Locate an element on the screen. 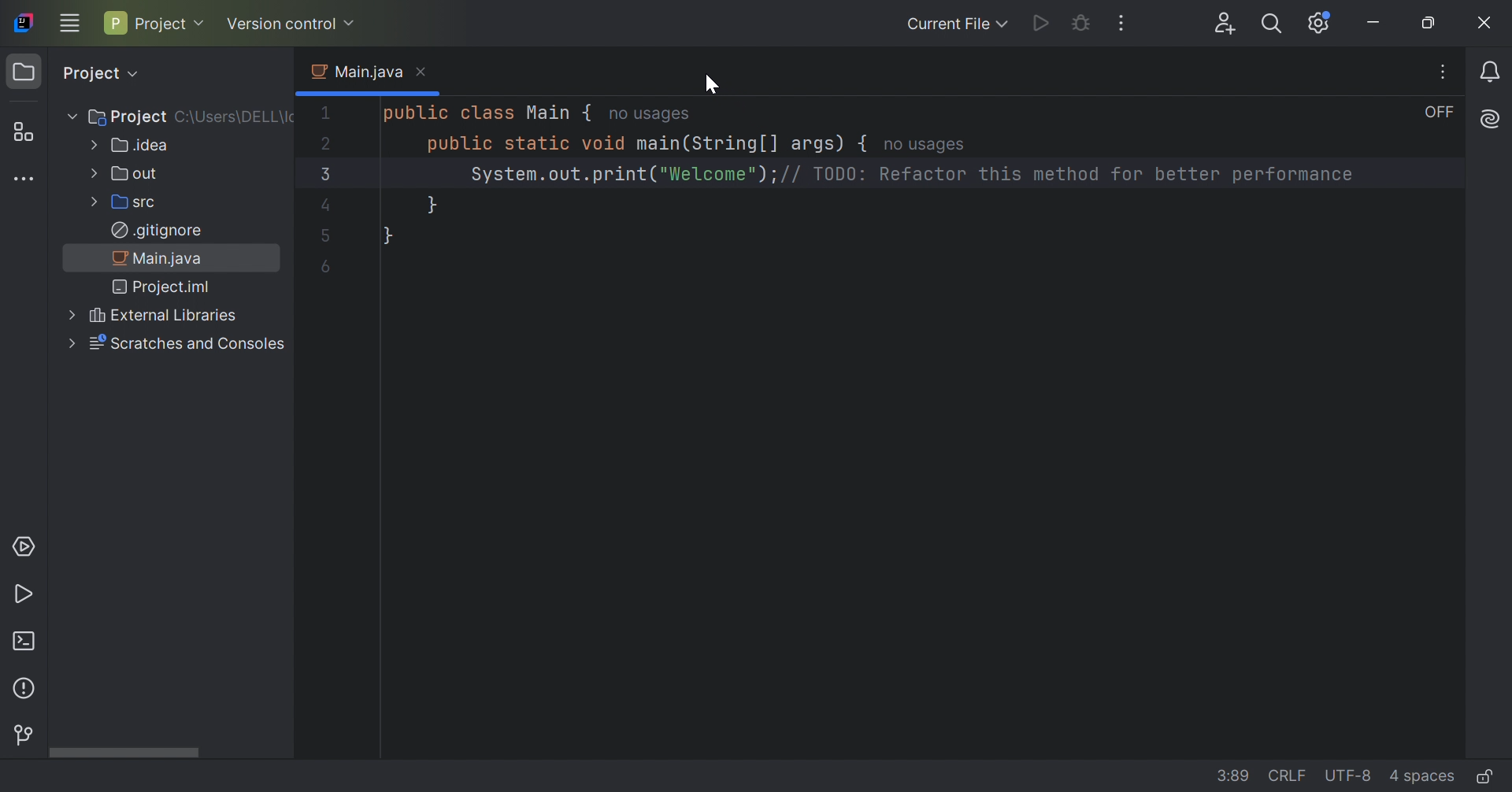  External Libraries is located at coordinates (147, 316).